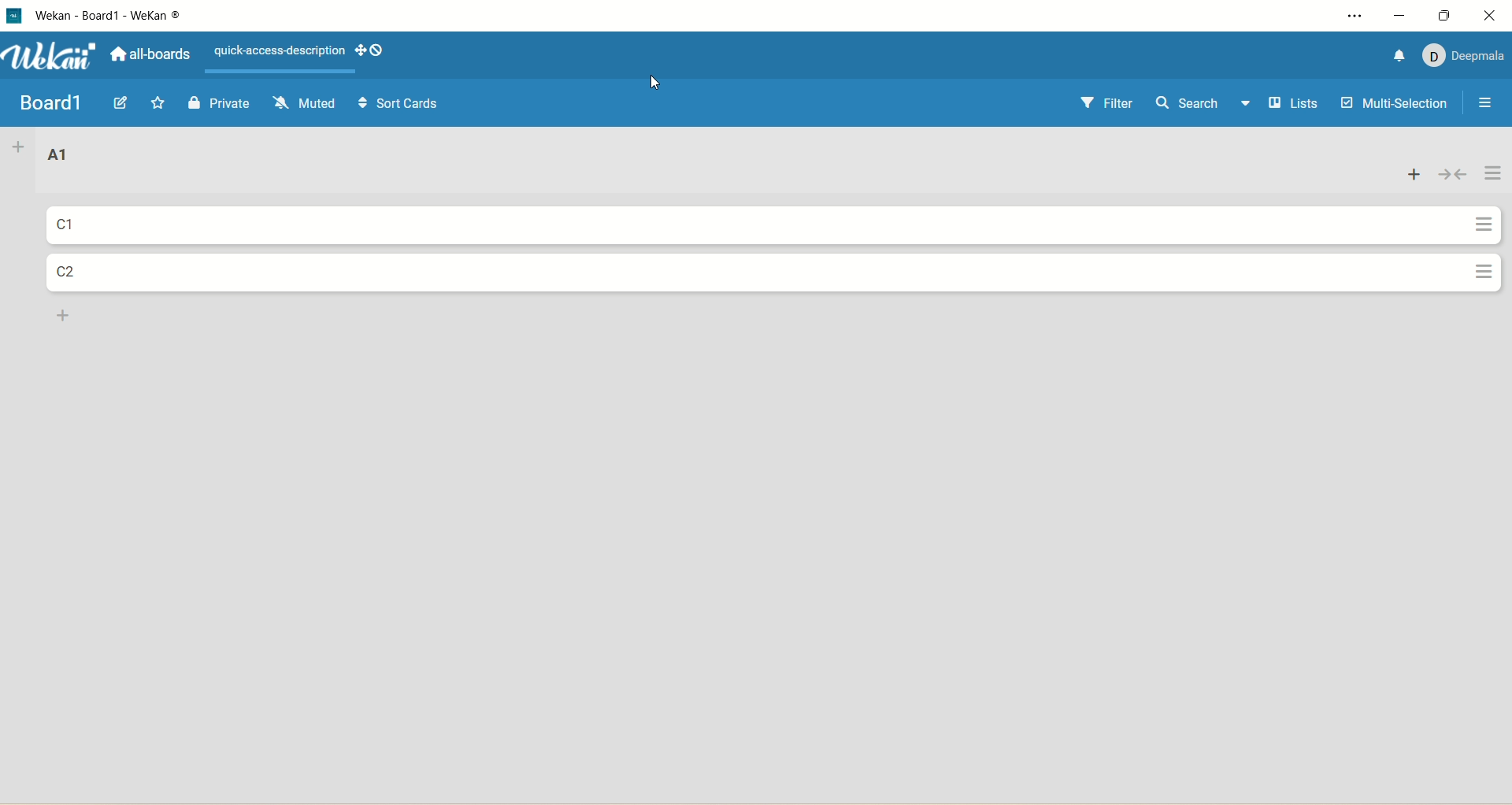 This screenshot has width=1512, height=805. Describe the element at coordinates (67, 314) in the screenshot. I see `add` at that location.